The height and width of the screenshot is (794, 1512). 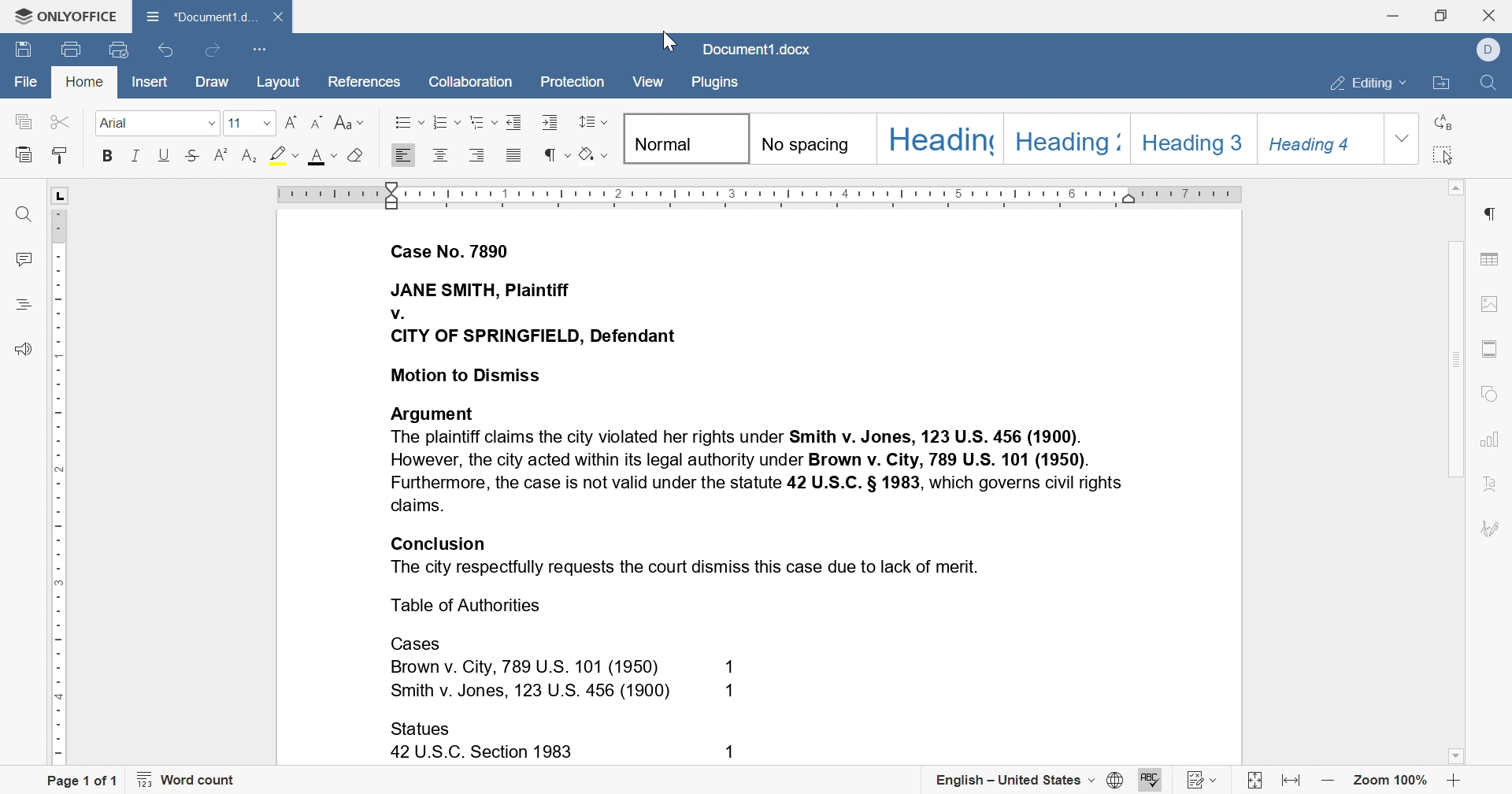 What do you see at coordinates (594, 153) in the screenshot?
I see `shading` at bounding box center [594, 153].